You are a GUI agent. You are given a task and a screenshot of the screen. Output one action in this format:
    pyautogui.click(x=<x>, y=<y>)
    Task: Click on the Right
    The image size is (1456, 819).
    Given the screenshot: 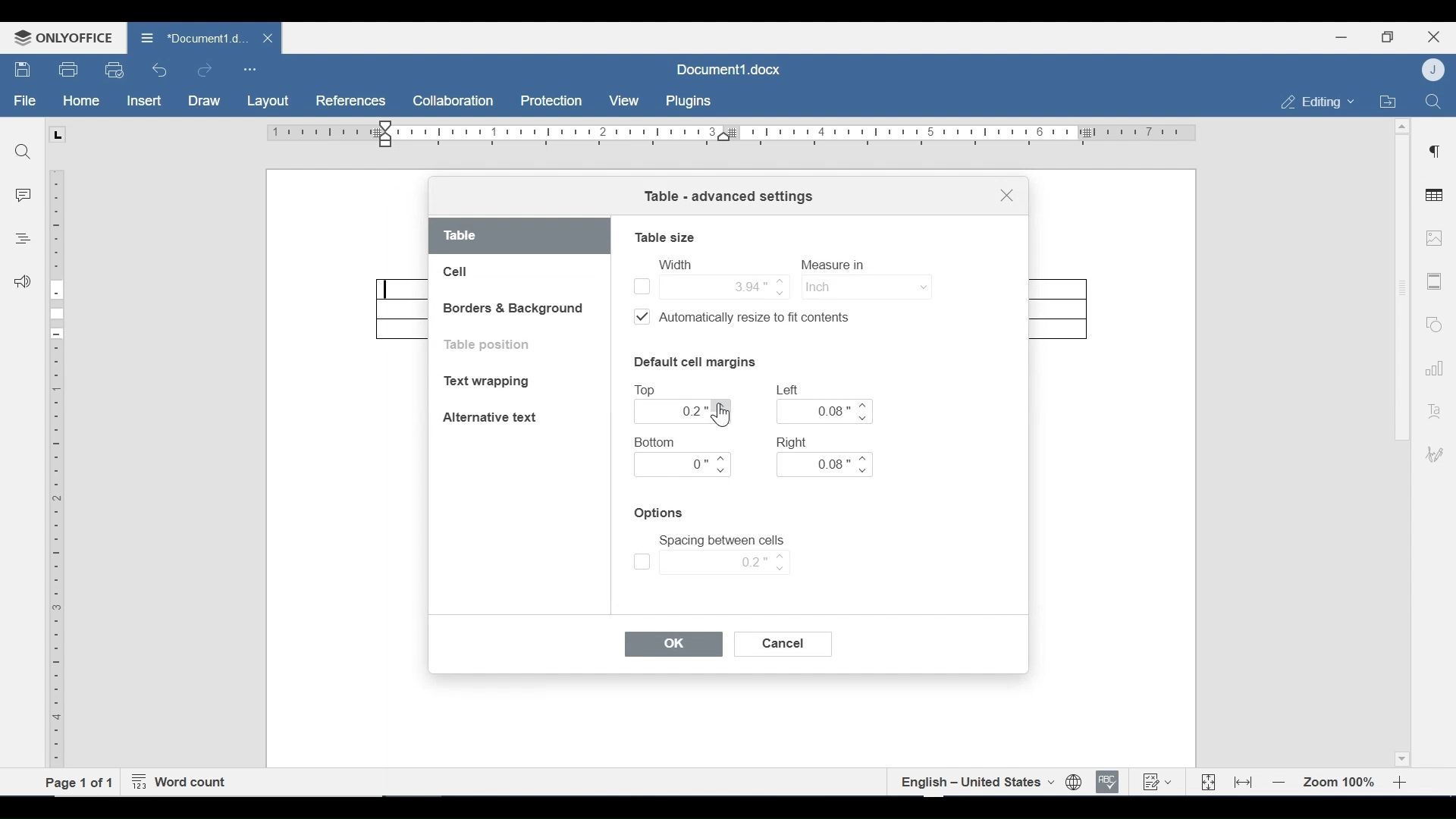 What is the action you would take?
    pyautogui.click(x=794, y=441)
    